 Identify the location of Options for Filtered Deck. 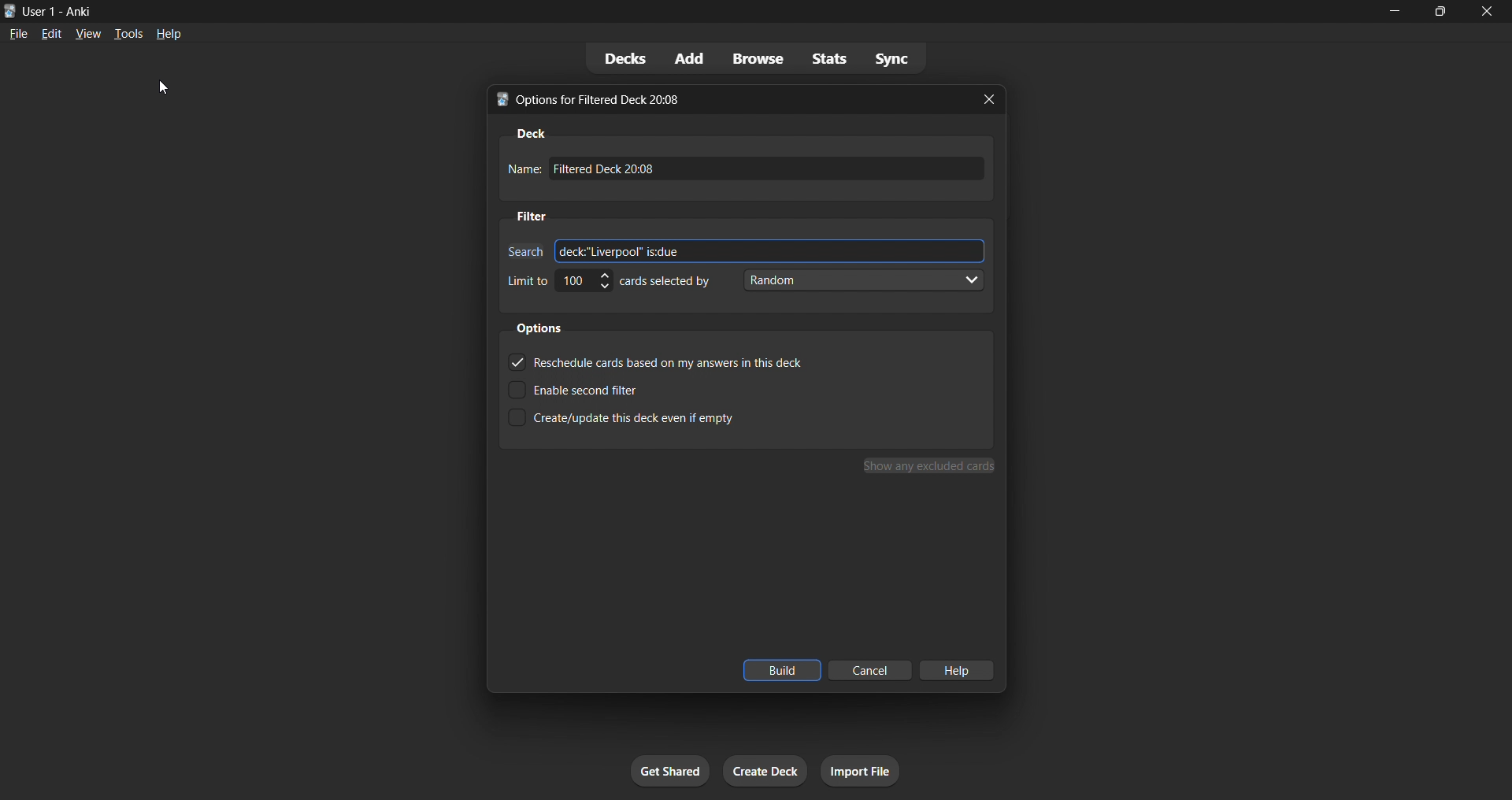
(609, 100).